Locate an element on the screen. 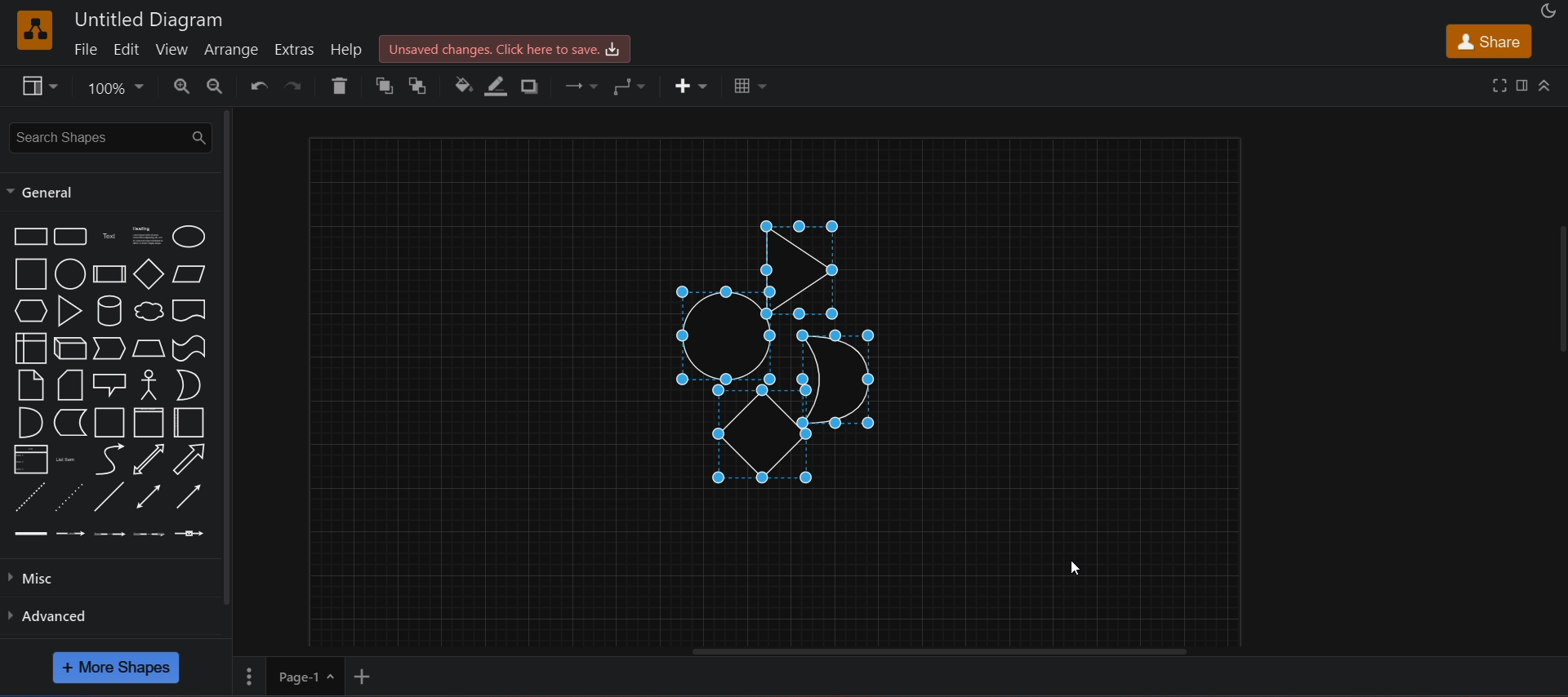 Image resolution: width=1568 pixels, height=697 pixels. shadow is located at coordinates (534, 87).